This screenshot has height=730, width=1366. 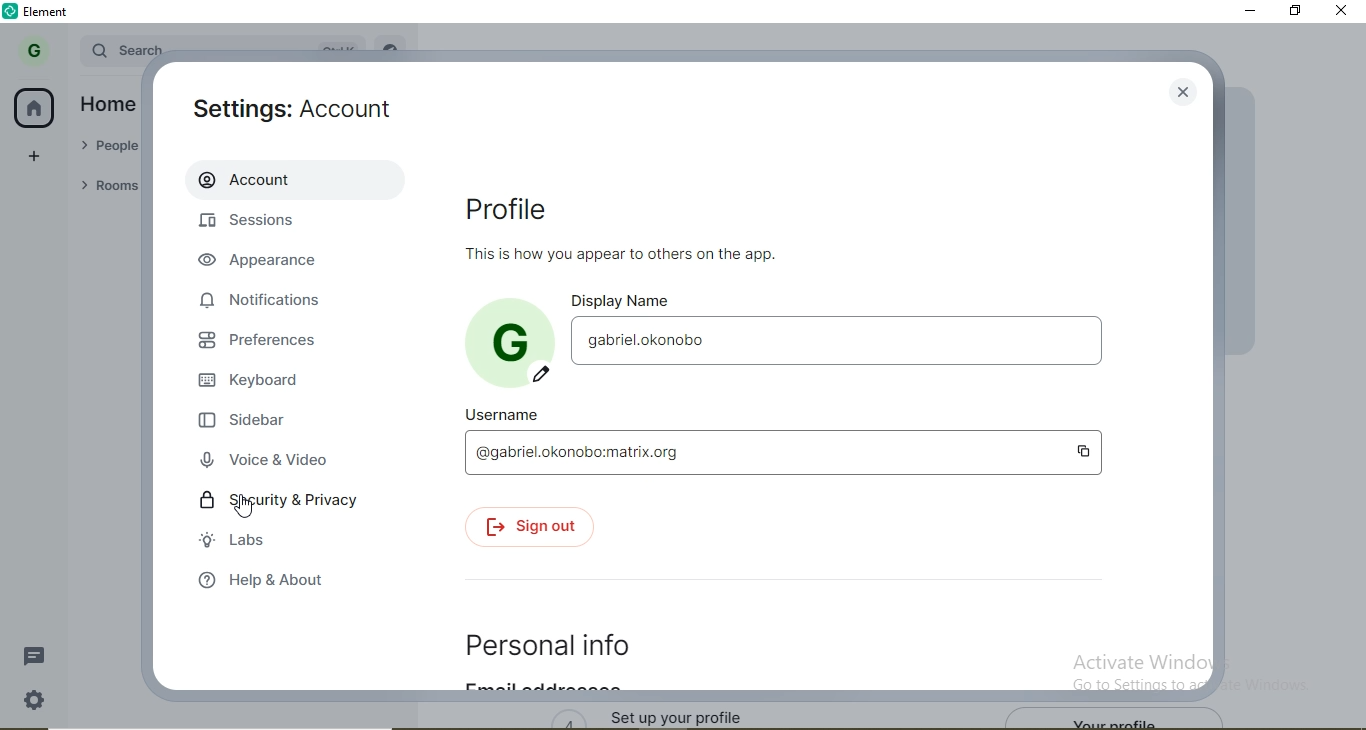 What do you see at coordinates (1294, 10) in the screenshot?
I see `restore` at bounding box center [1294, 10].